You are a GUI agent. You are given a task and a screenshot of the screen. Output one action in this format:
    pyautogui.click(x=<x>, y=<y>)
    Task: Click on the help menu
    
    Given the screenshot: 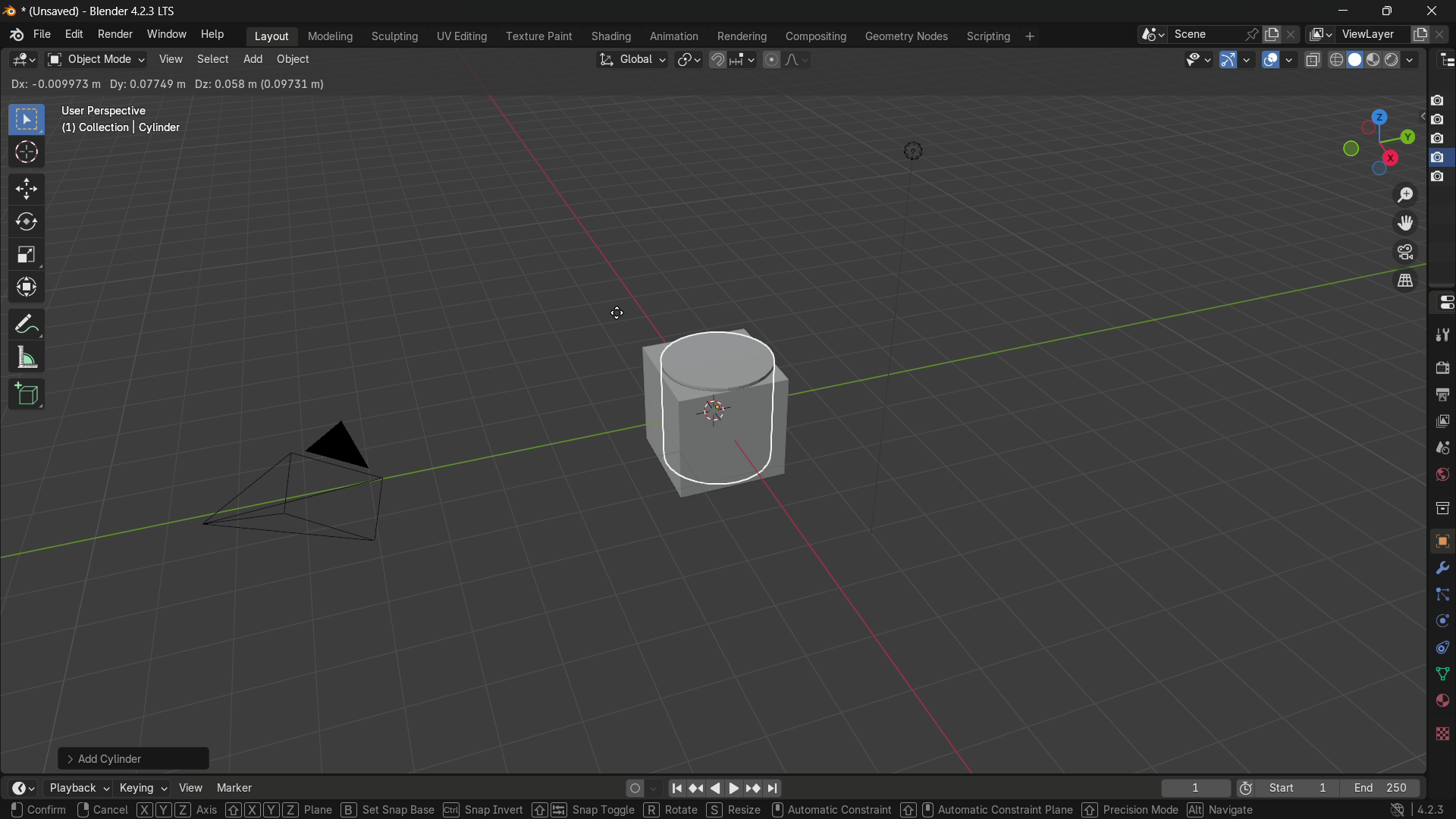 What is the action you would take?
    pyautogui.click(x=214, y=35)
    